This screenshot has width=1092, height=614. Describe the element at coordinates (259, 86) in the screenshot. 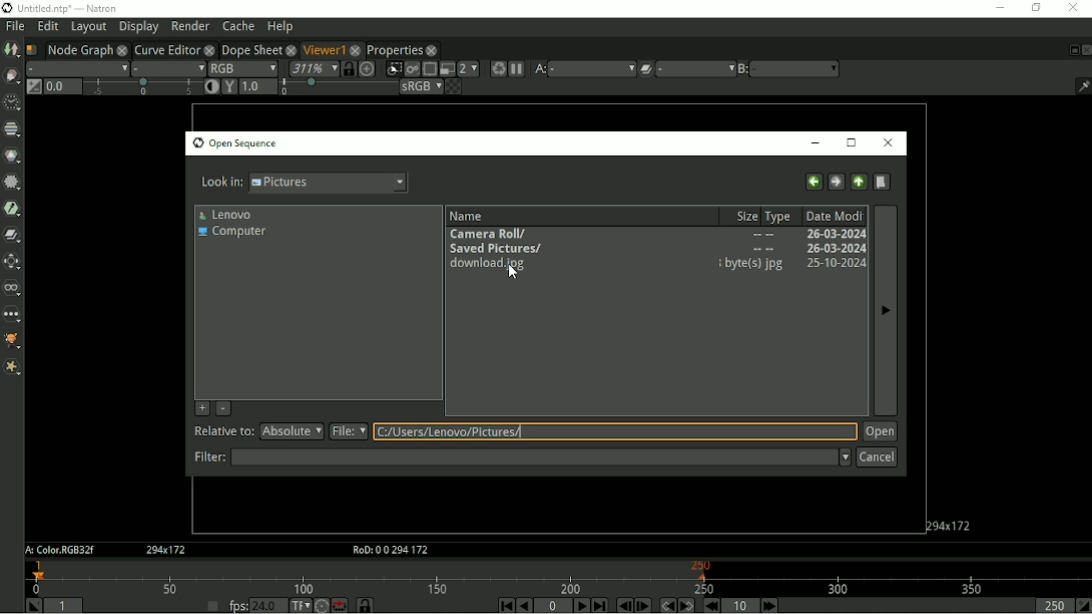

I see `Viewer gamma correction` at that location.